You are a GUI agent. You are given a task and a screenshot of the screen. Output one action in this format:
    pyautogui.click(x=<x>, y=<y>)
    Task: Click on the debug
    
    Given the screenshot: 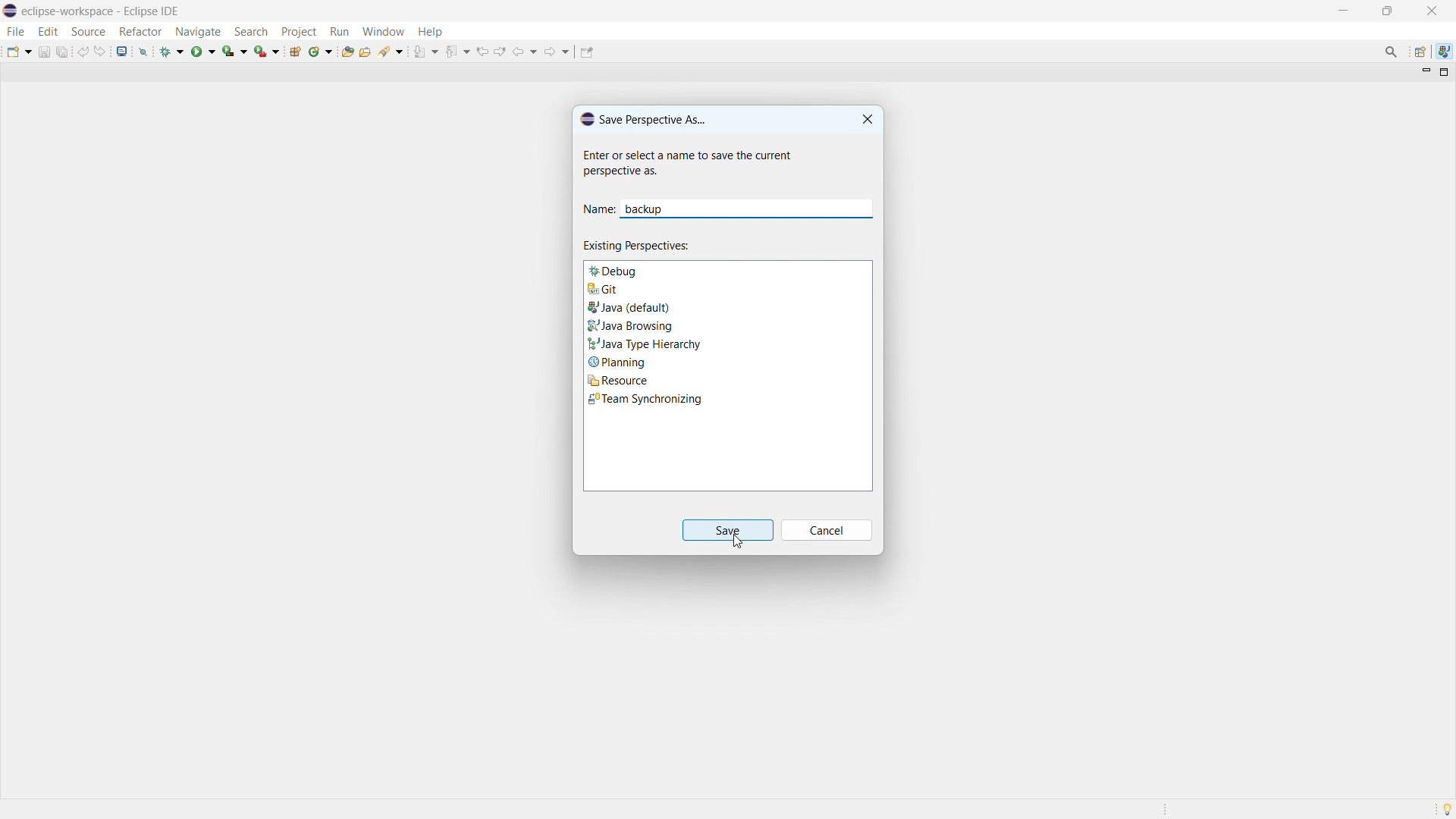 What is the action you would take?
    pyautogui.click(x=173, y=51)
    